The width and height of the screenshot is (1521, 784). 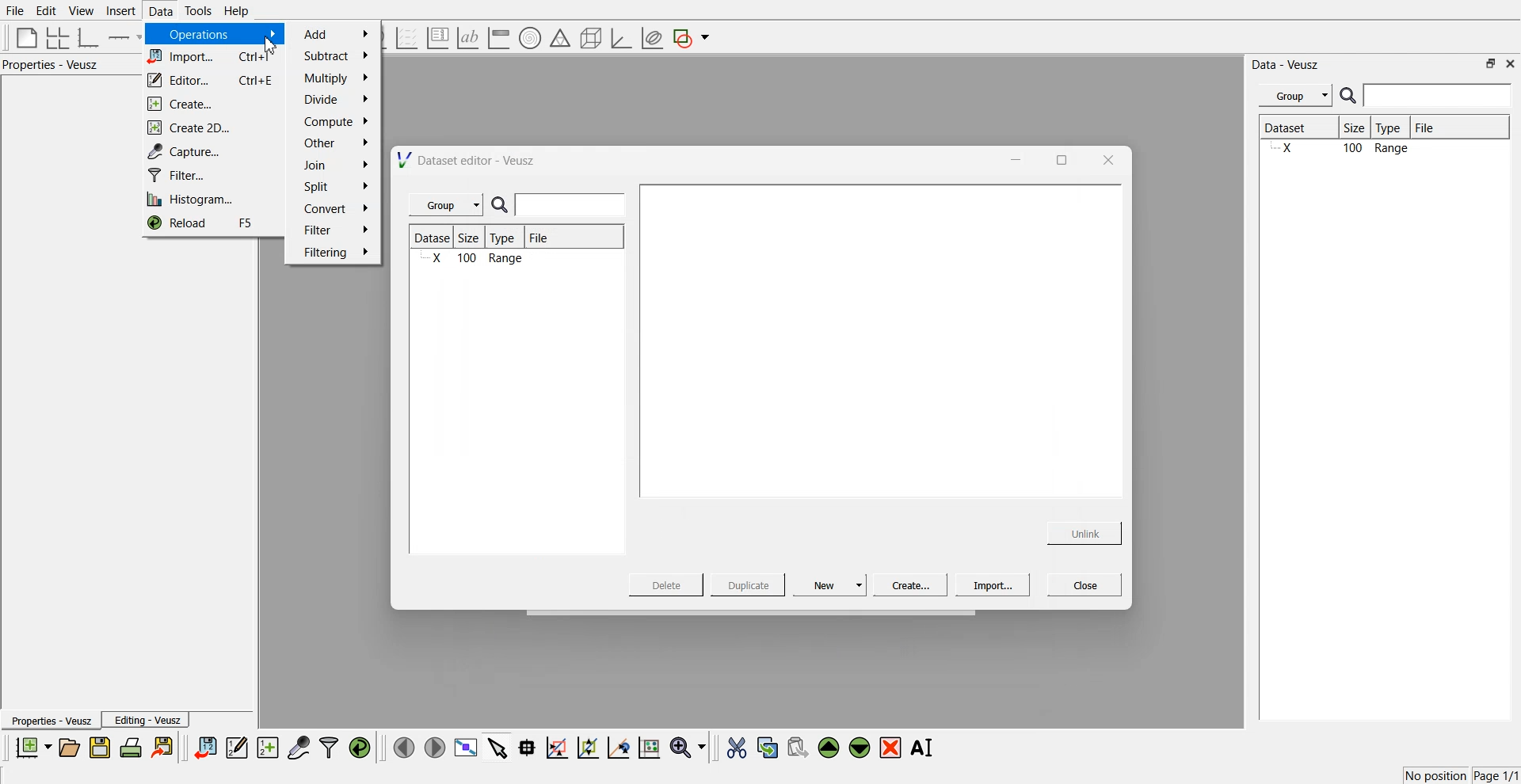 What do you see at coordinates (208, 200) in the screenshot?
I see `Histogram...` at bounding box center [208, 200].